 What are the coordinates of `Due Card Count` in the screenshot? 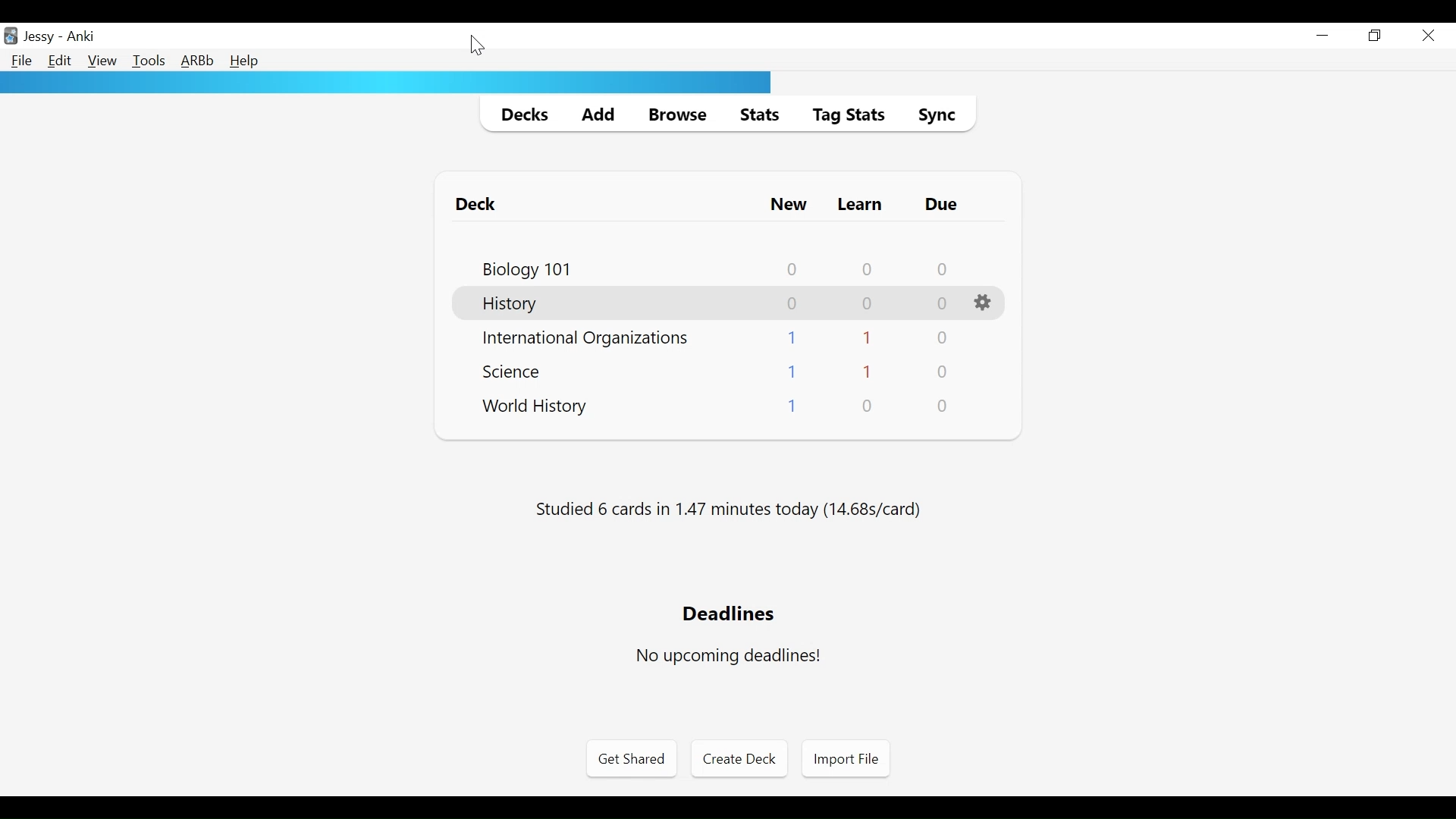 It's located at (943, 304).